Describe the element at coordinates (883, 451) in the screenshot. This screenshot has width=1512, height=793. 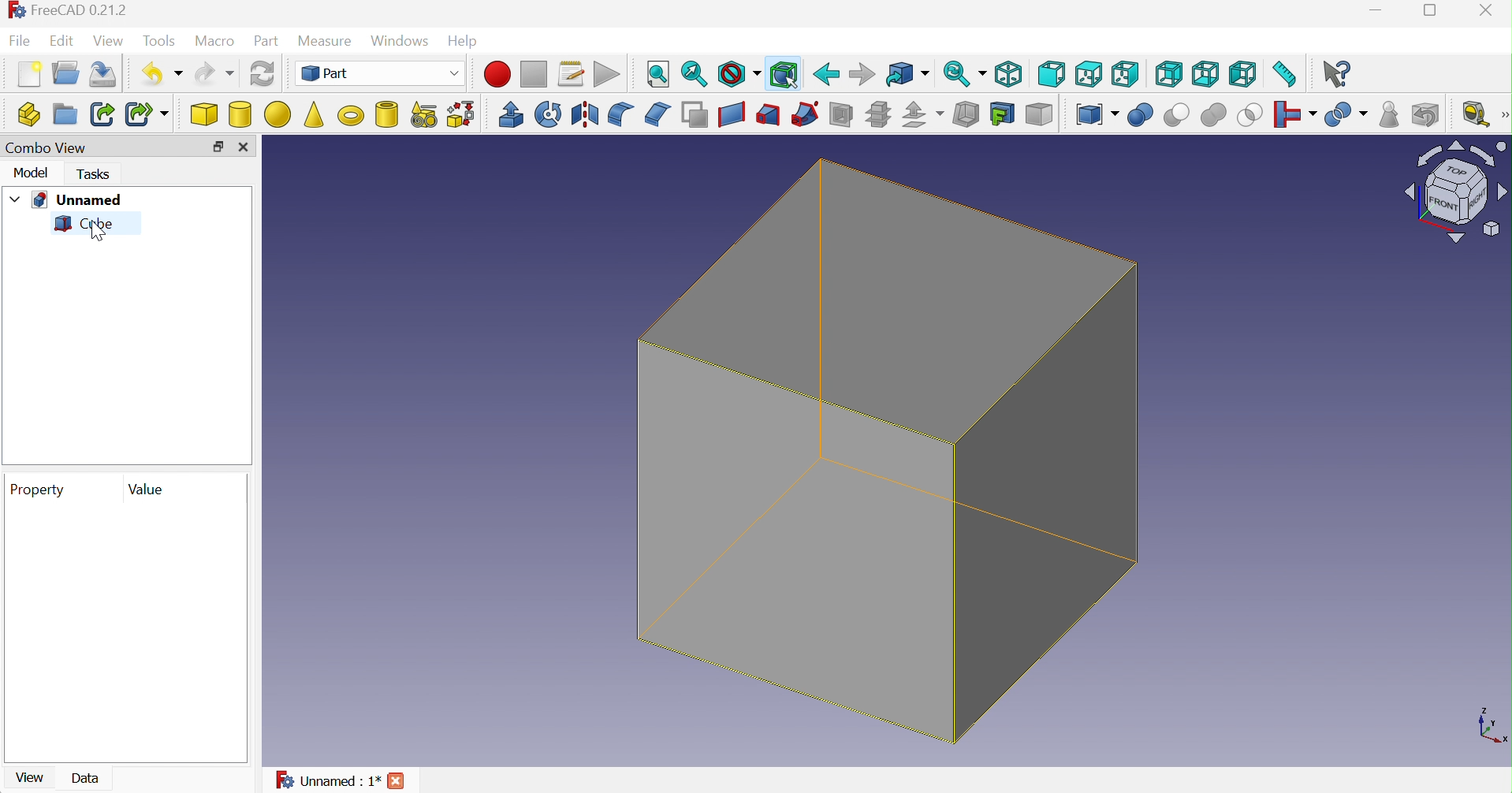
I see `Cube` at that location.